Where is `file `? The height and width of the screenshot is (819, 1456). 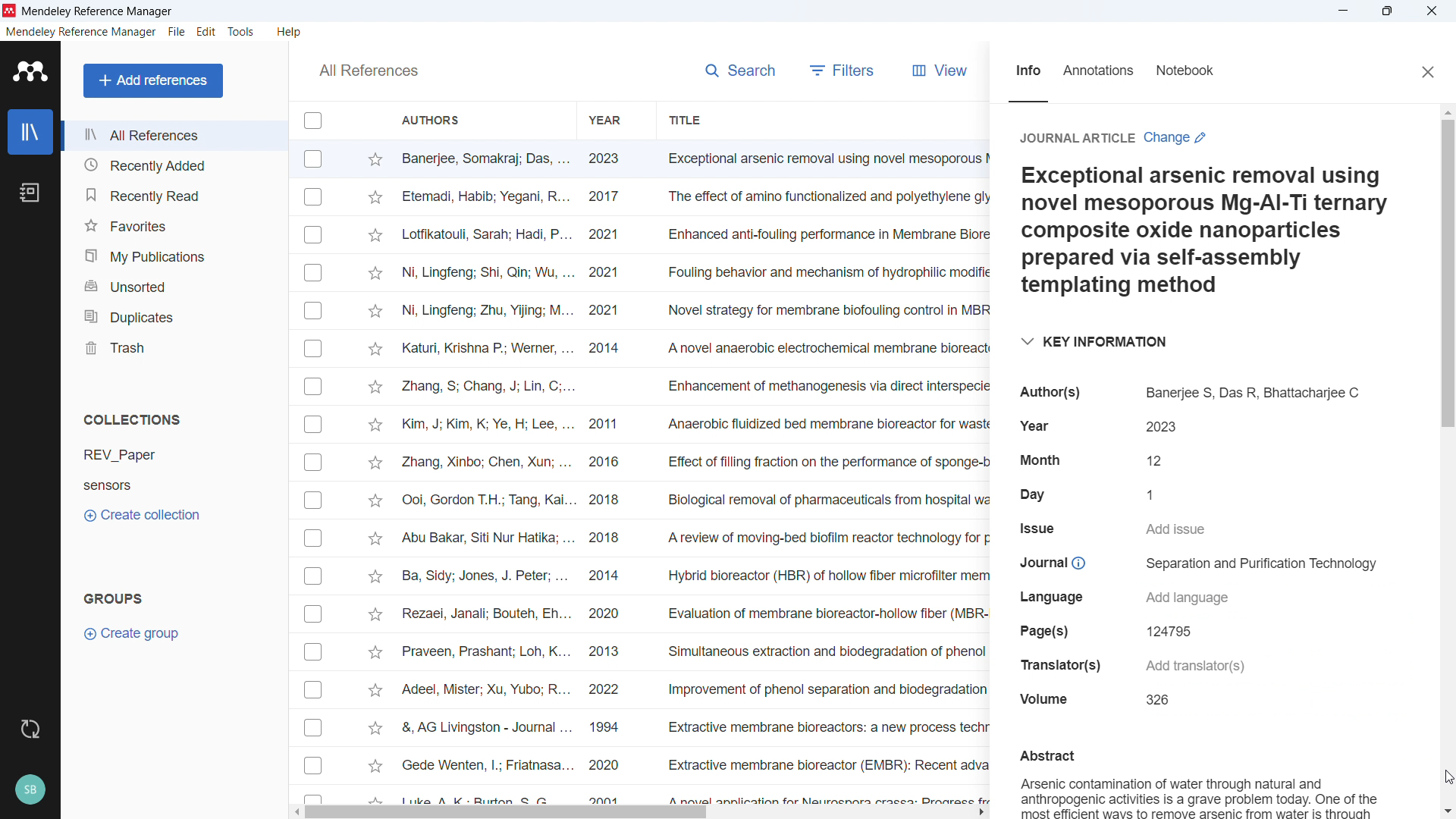
file  is located at coordinates (177, 33).